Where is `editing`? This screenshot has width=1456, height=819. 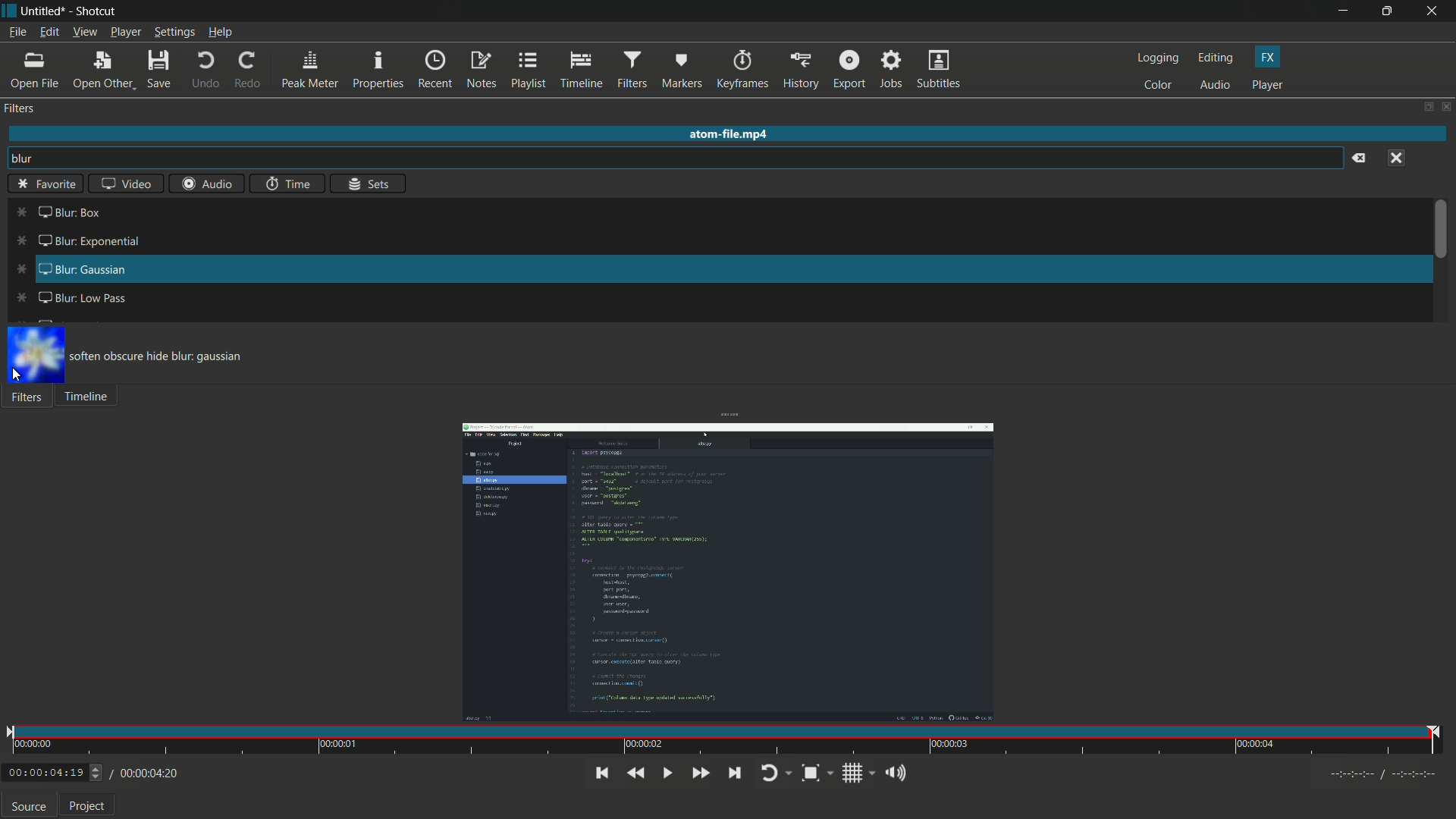 editing is located at coordinates (1219, 58).